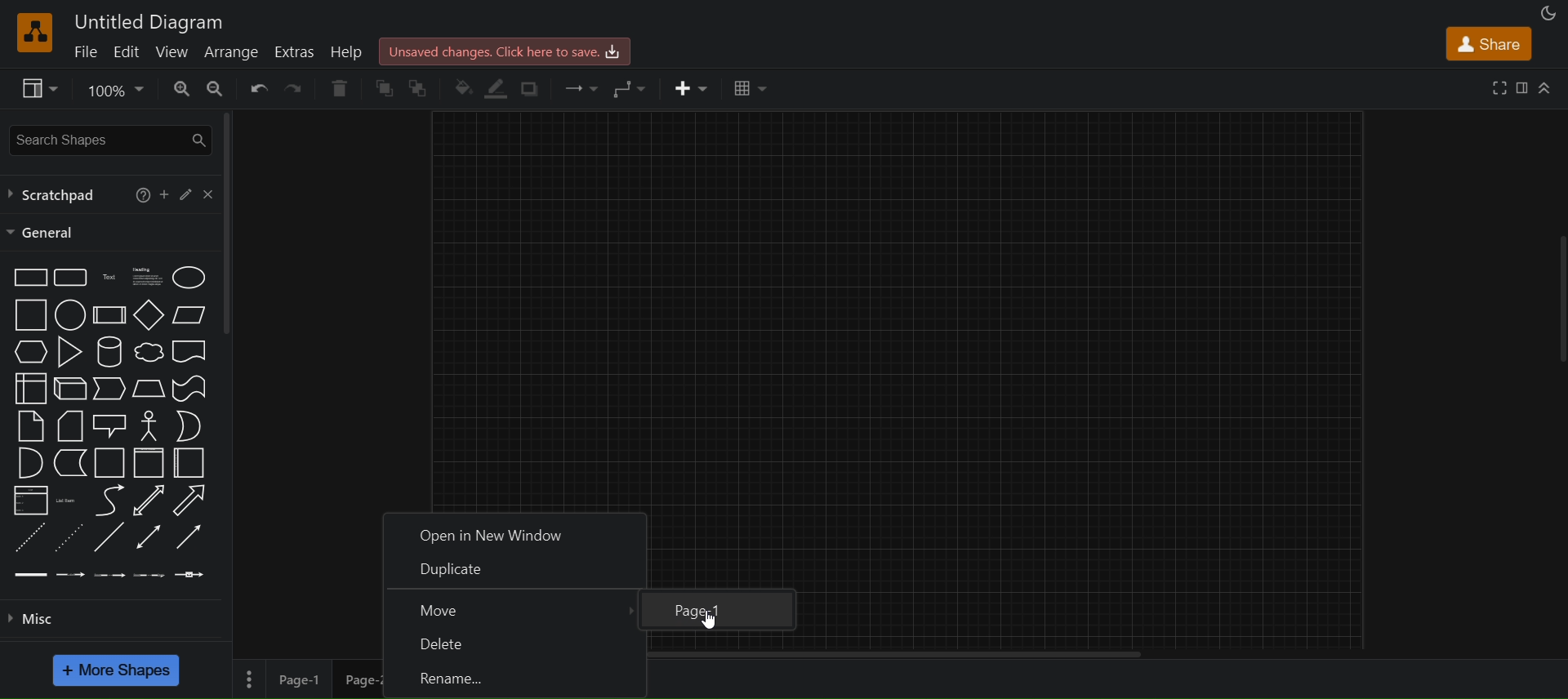  I want to click on shadow, so click(532, 89).